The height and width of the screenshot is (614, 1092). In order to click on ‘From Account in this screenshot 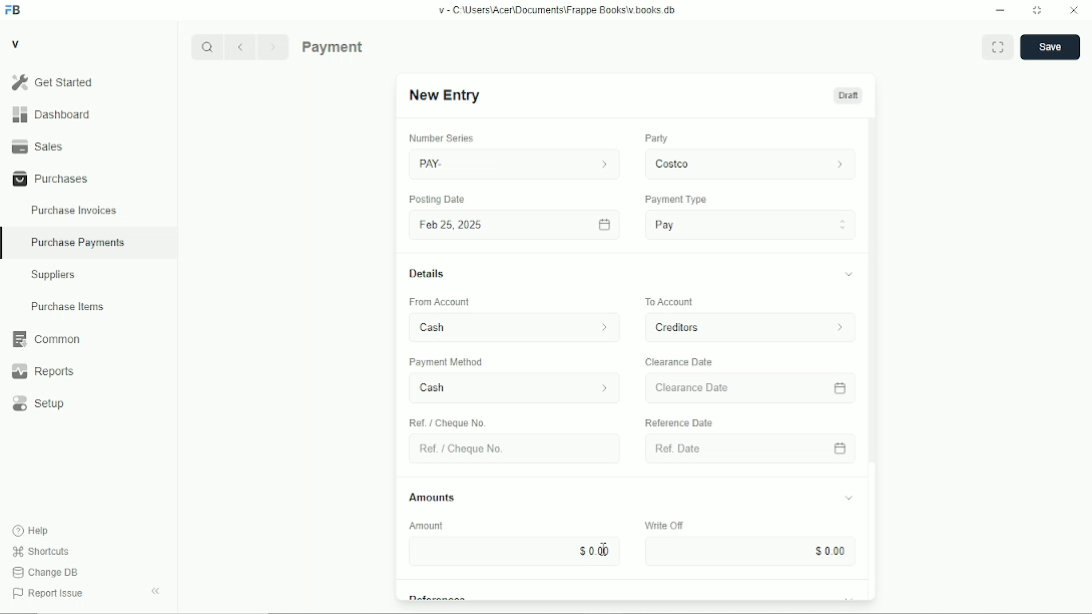, I will do `click(438, 303)`.